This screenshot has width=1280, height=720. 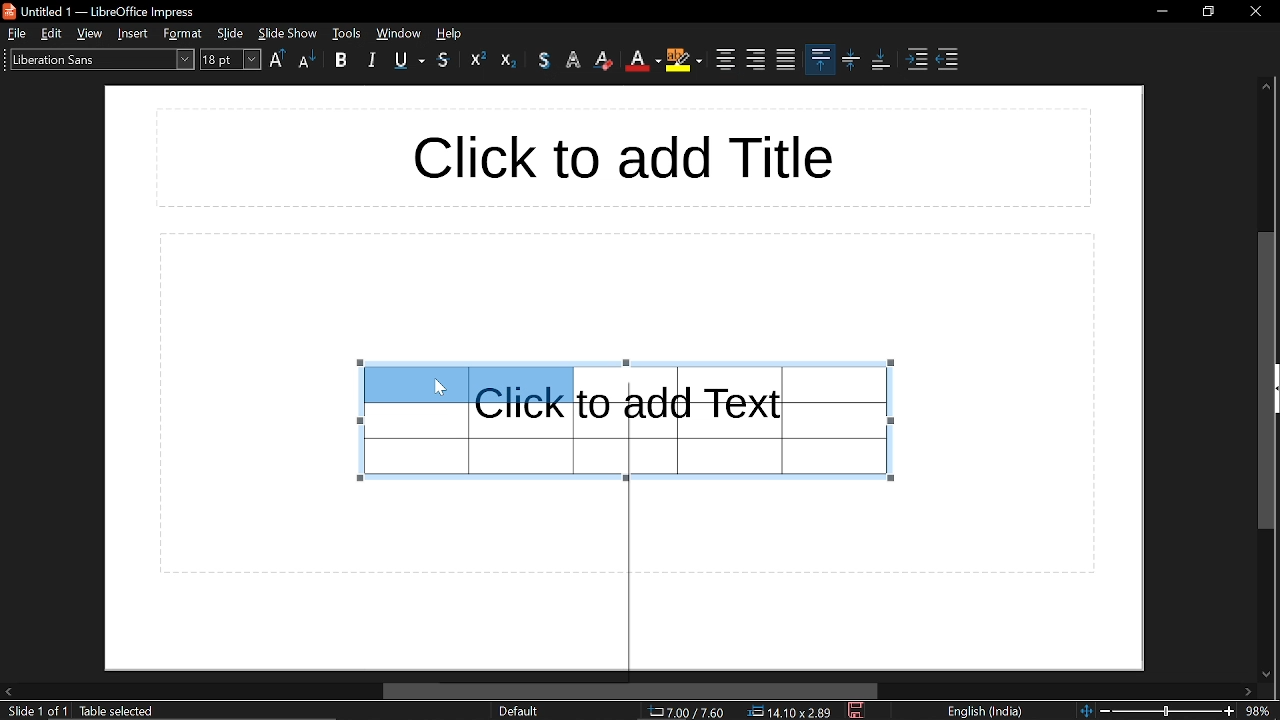 I want to click on slide 1 of 1, so click(x=37, y=712).